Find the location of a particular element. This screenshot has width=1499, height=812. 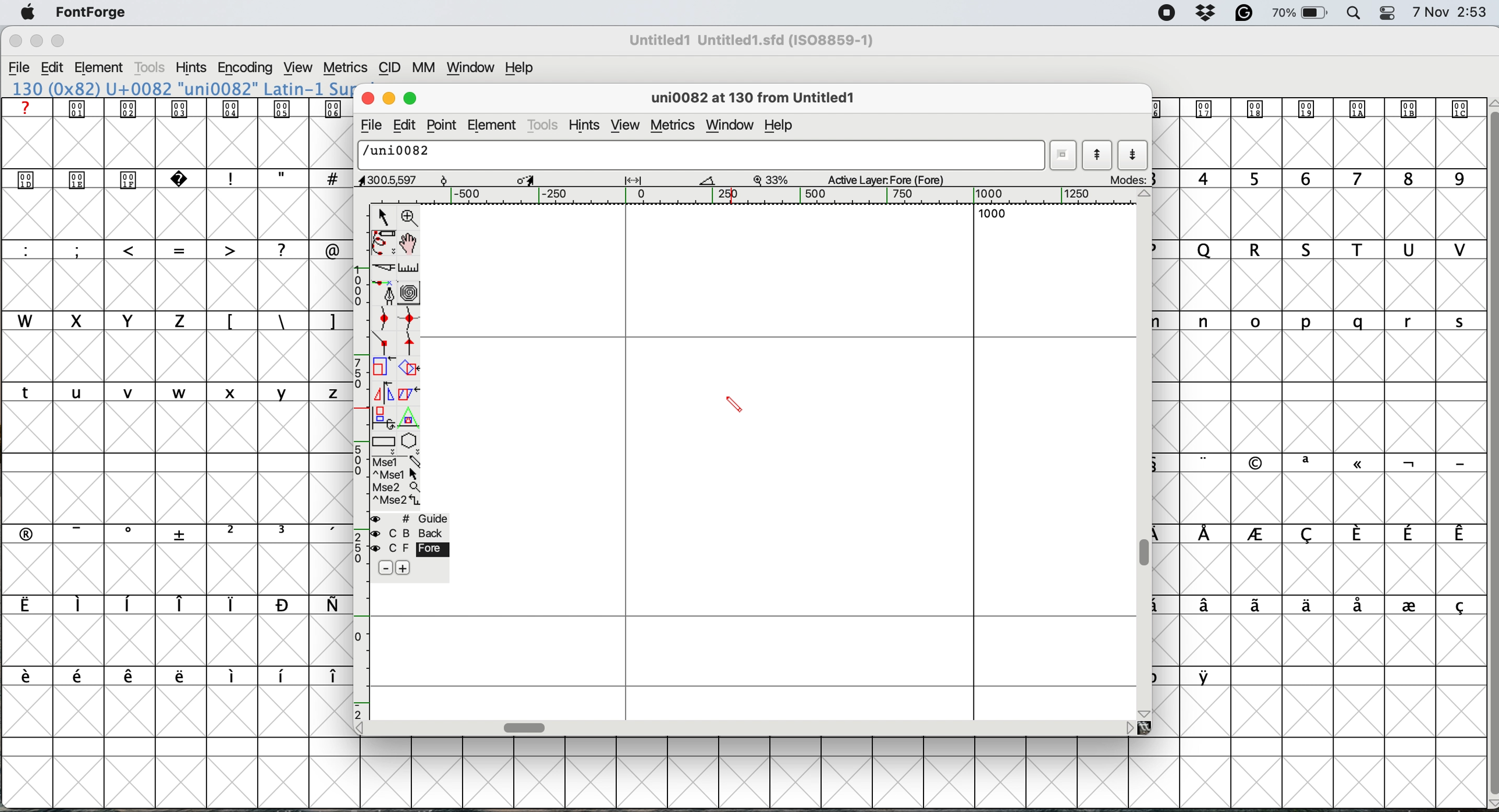

special characters is located at coordinates (169, 249).